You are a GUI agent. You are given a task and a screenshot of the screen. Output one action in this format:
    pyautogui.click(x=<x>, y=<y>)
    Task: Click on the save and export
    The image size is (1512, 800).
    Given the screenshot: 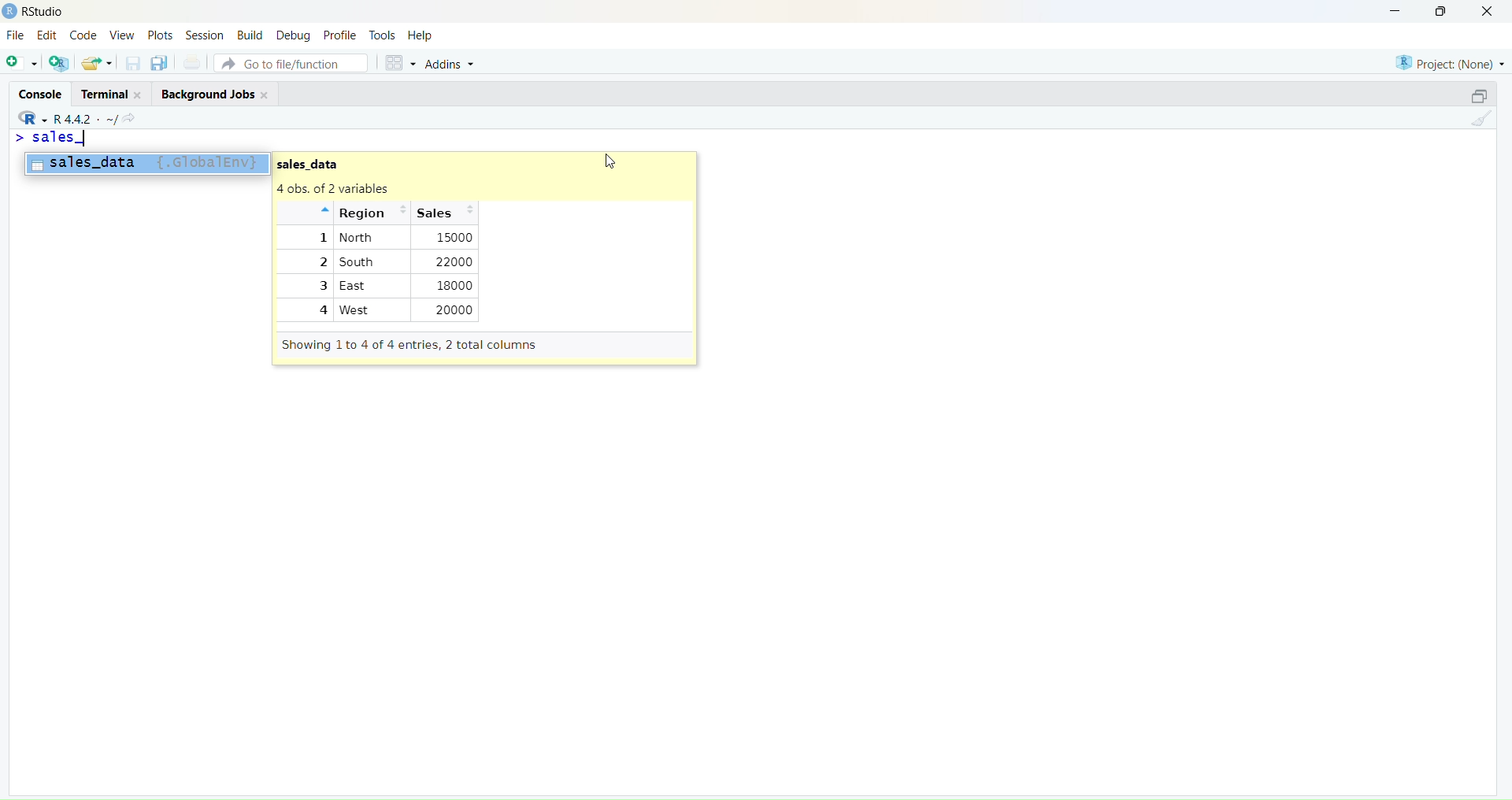 What is the action you would take?
    pyautogui.click(x=96, y=64)
    